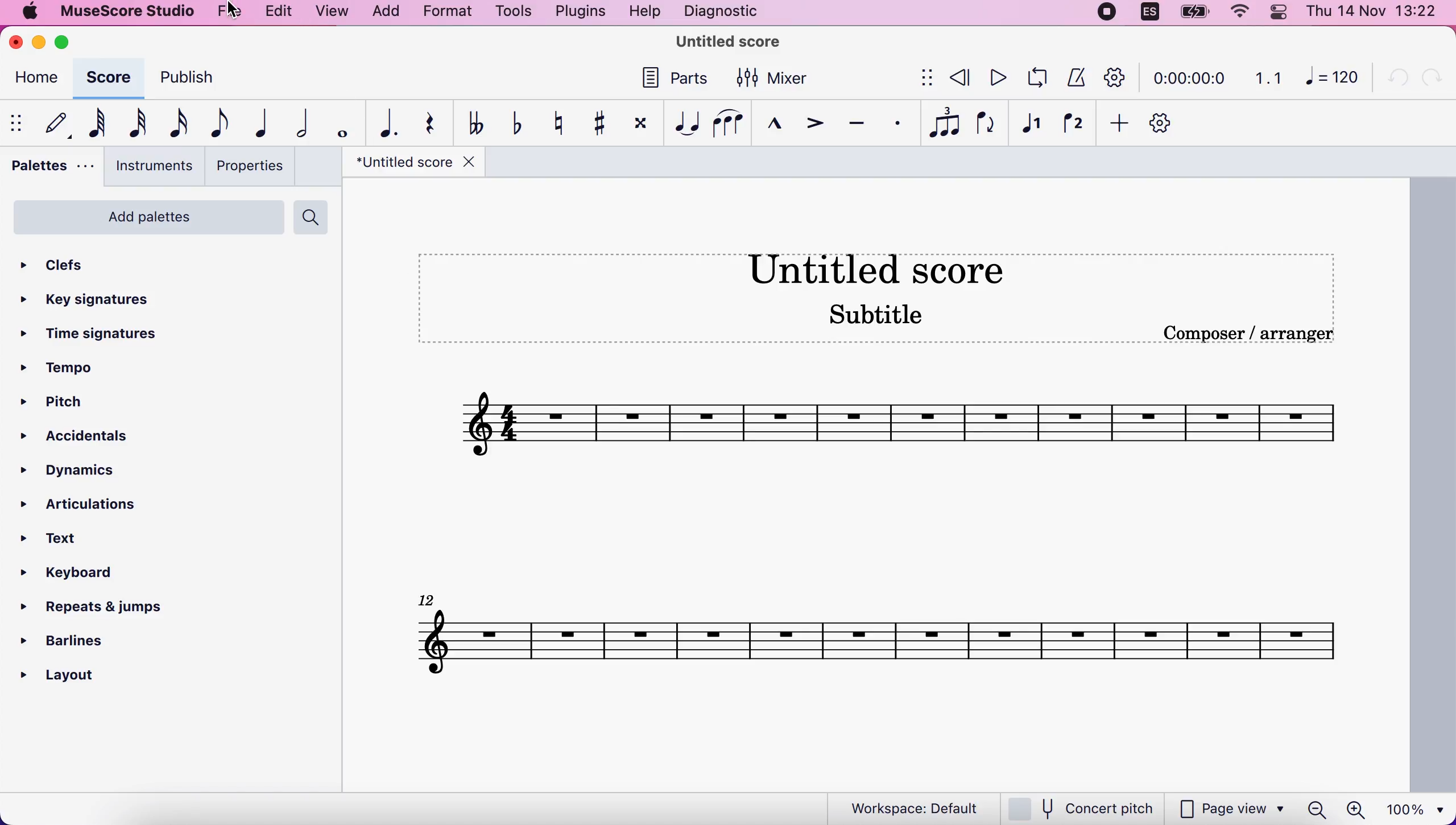  What do you see at coordinates (76, 366) in the screenshot?
I see `tempo` at bounding box center [76, 366].